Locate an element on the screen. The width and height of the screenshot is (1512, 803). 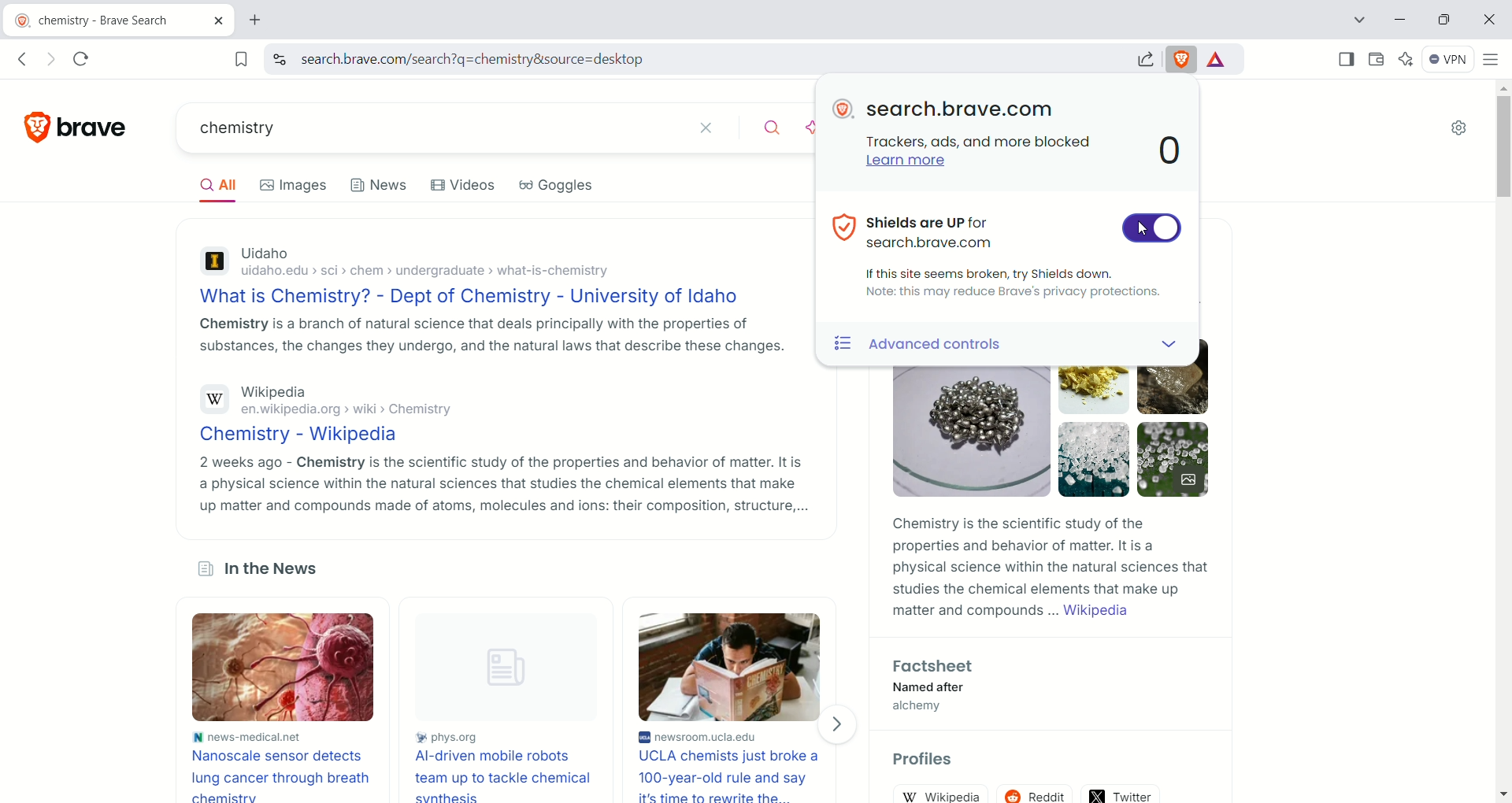
new tab is located at coordinates (264, 20).